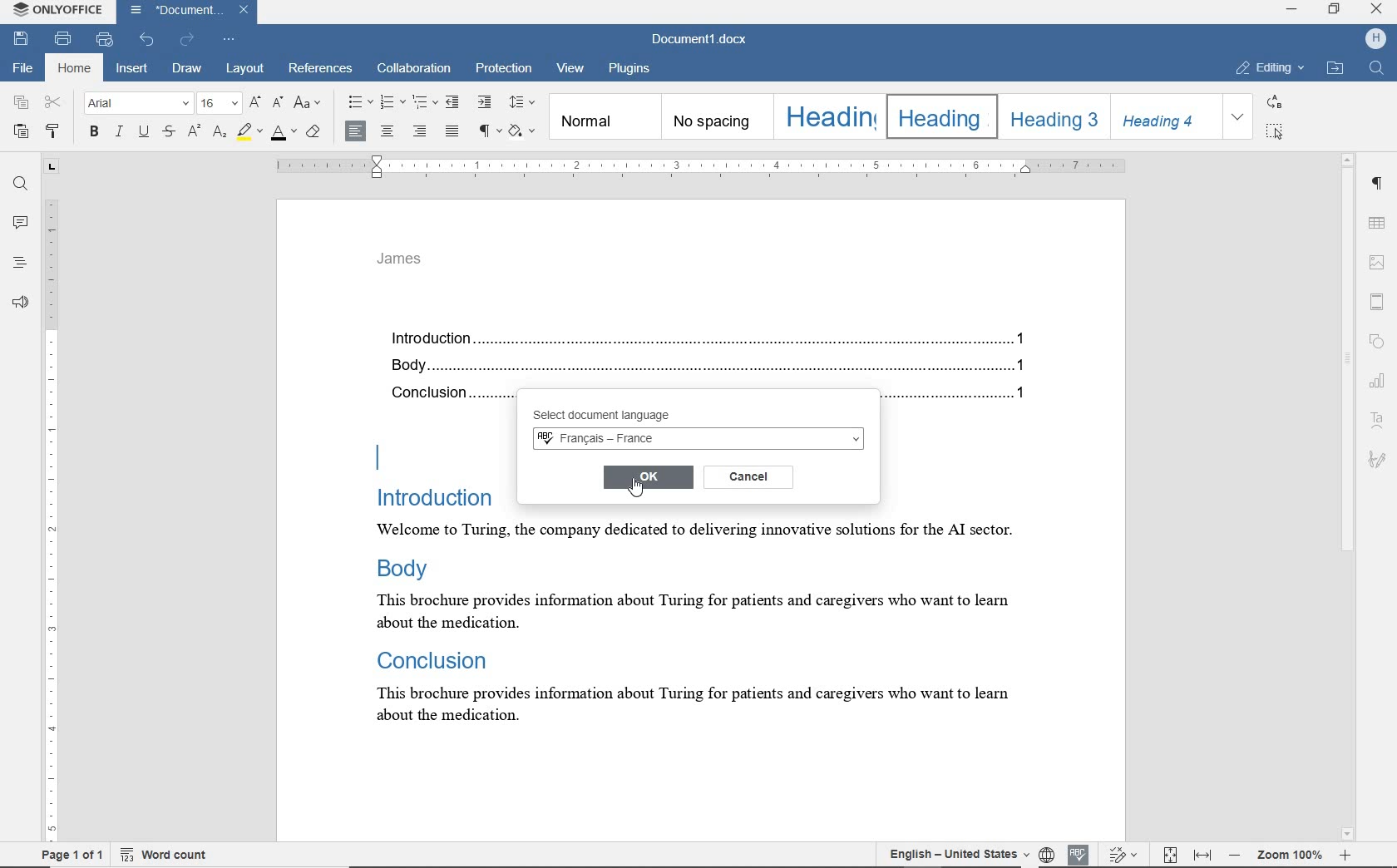  Describe the element at coordinates (1380, 301) in the screenshot. I see `header & footer` at that location.